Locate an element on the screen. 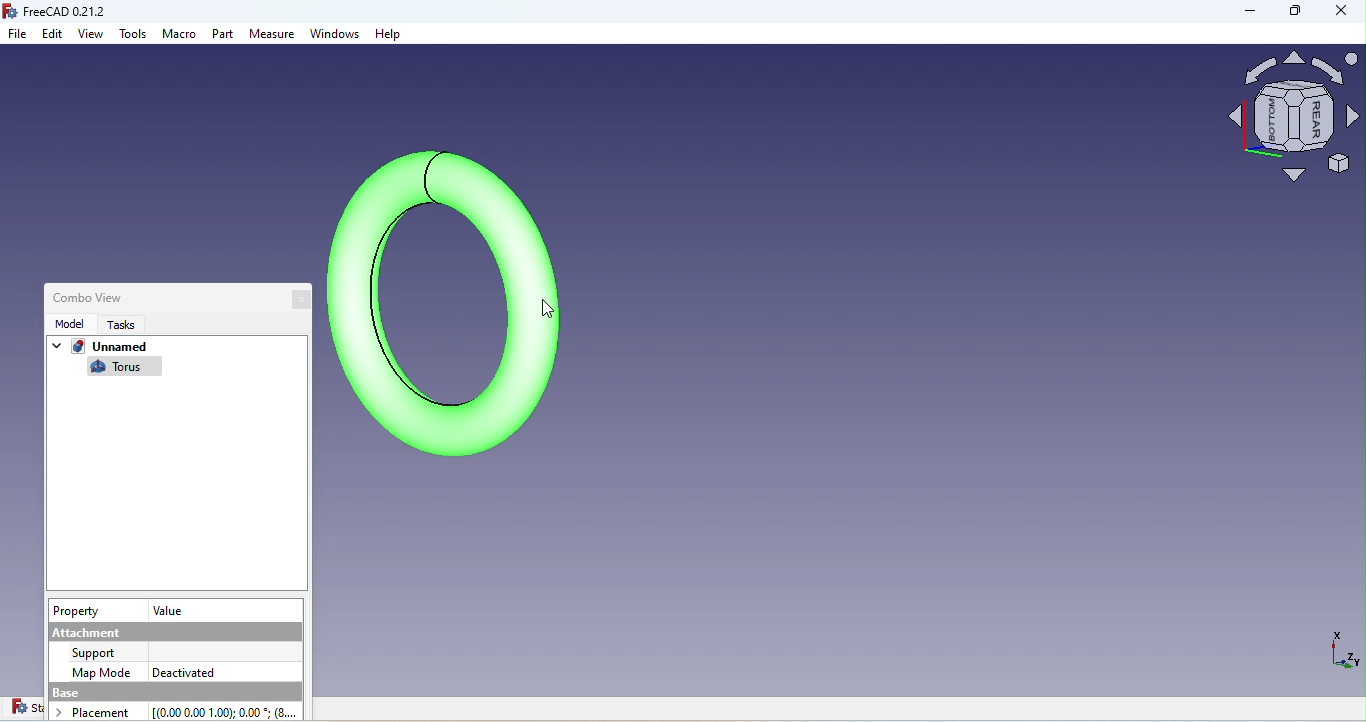 The height and width of the screenshot is (722, 1366). Maximize is located at coordinates (1293, 15).